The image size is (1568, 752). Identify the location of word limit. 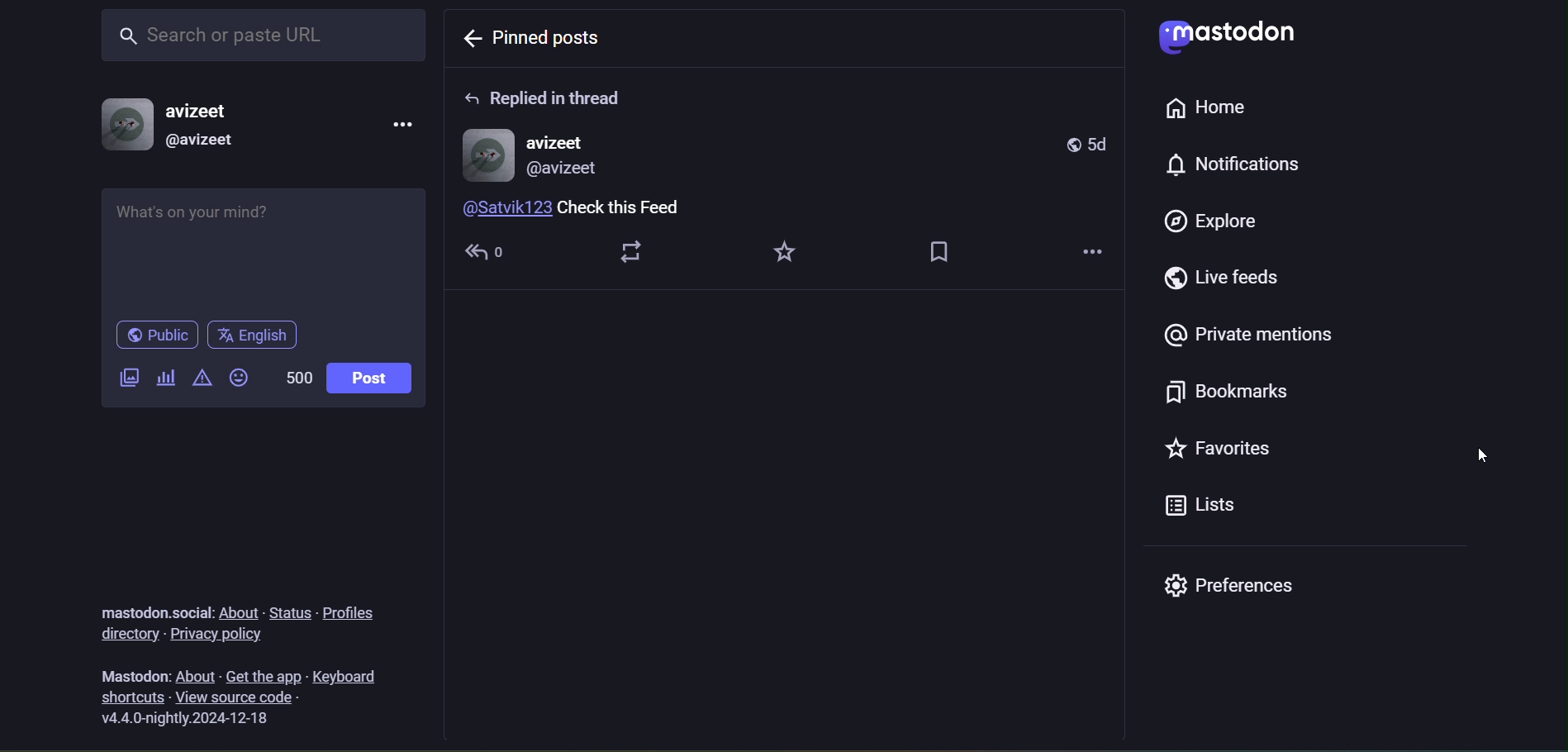
(297, 380).